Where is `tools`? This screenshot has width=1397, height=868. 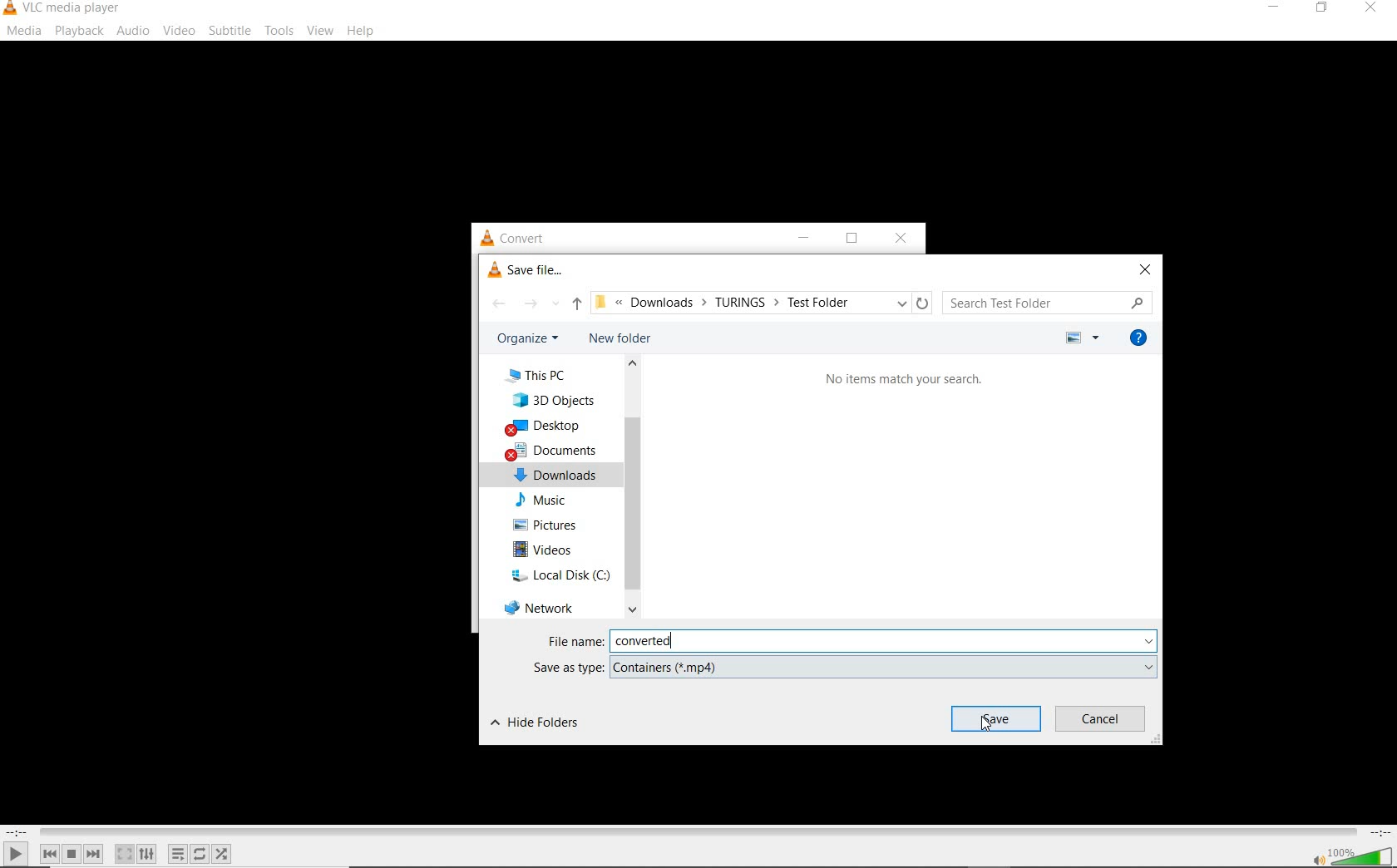
tools is located at coordinates (278, 28).